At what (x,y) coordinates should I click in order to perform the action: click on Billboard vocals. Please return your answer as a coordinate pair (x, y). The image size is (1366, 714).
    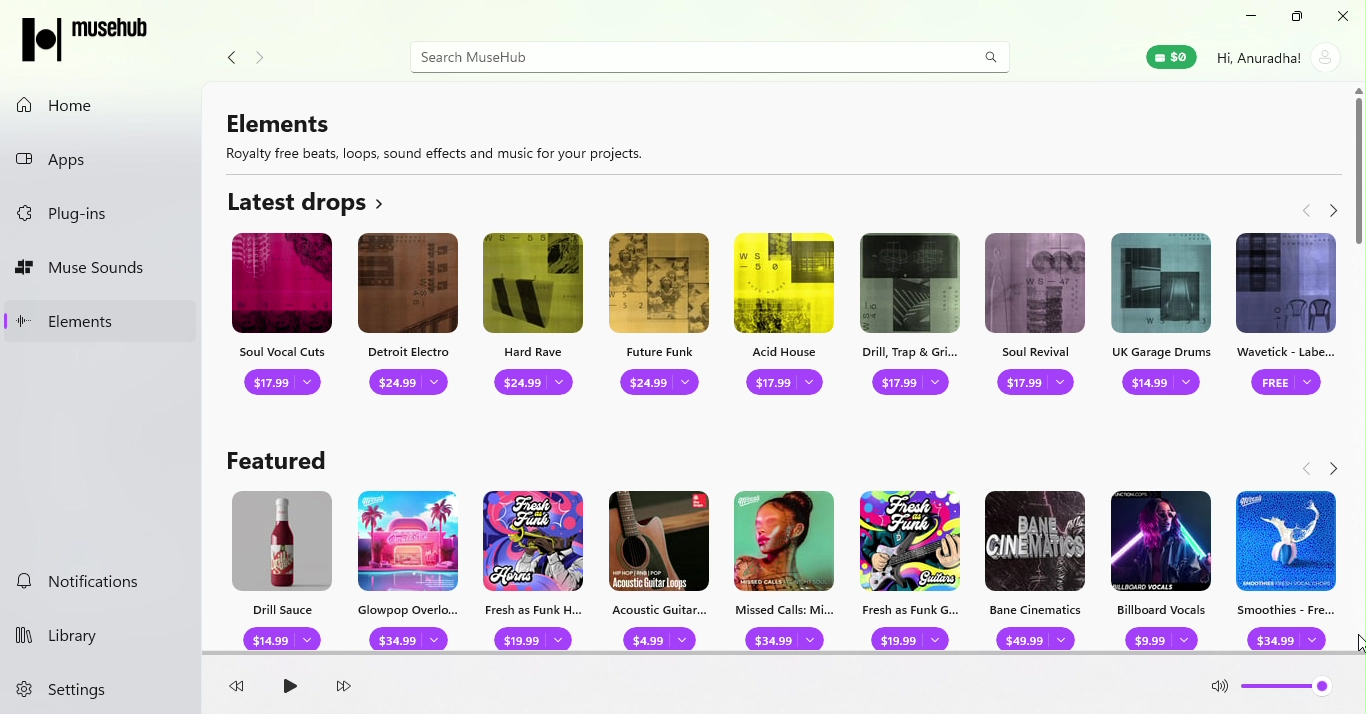
    Looking at the image, I should click on (1165, 566).